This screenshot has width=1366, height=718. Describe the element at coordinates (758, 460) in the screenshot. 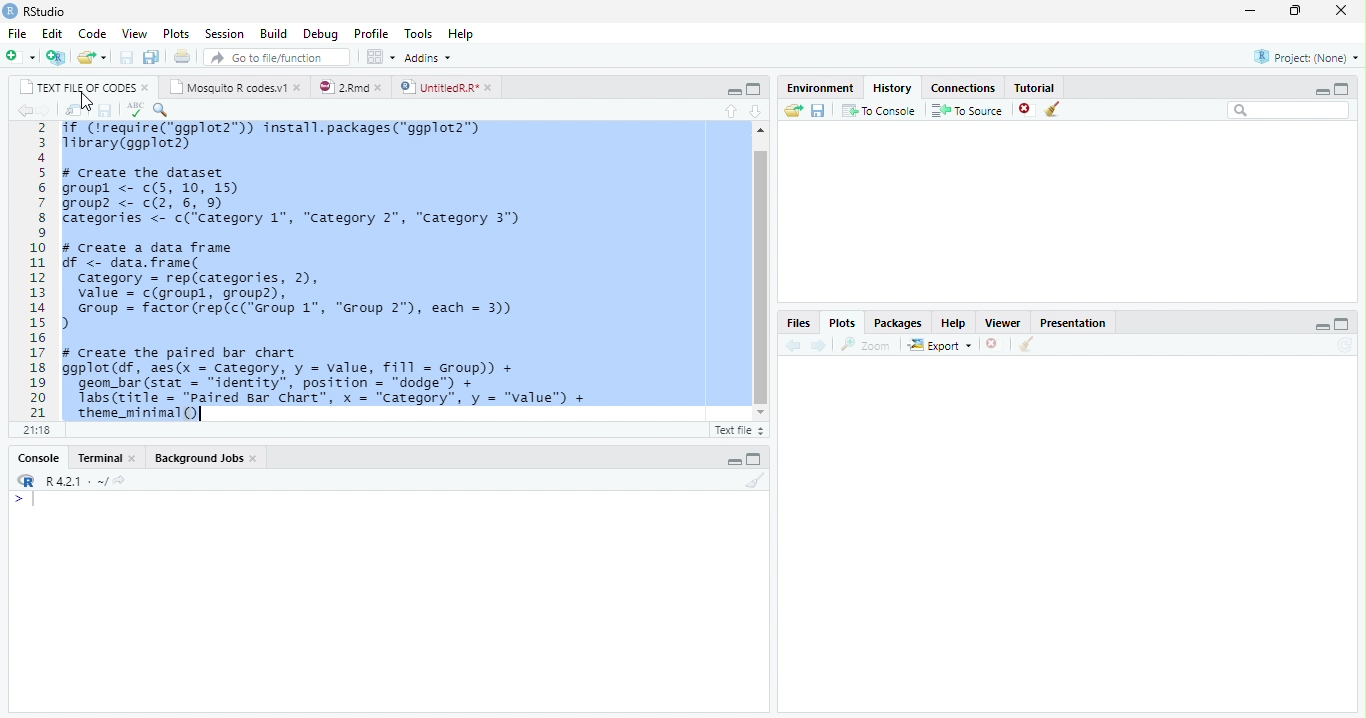

I see `maximize` at that location.